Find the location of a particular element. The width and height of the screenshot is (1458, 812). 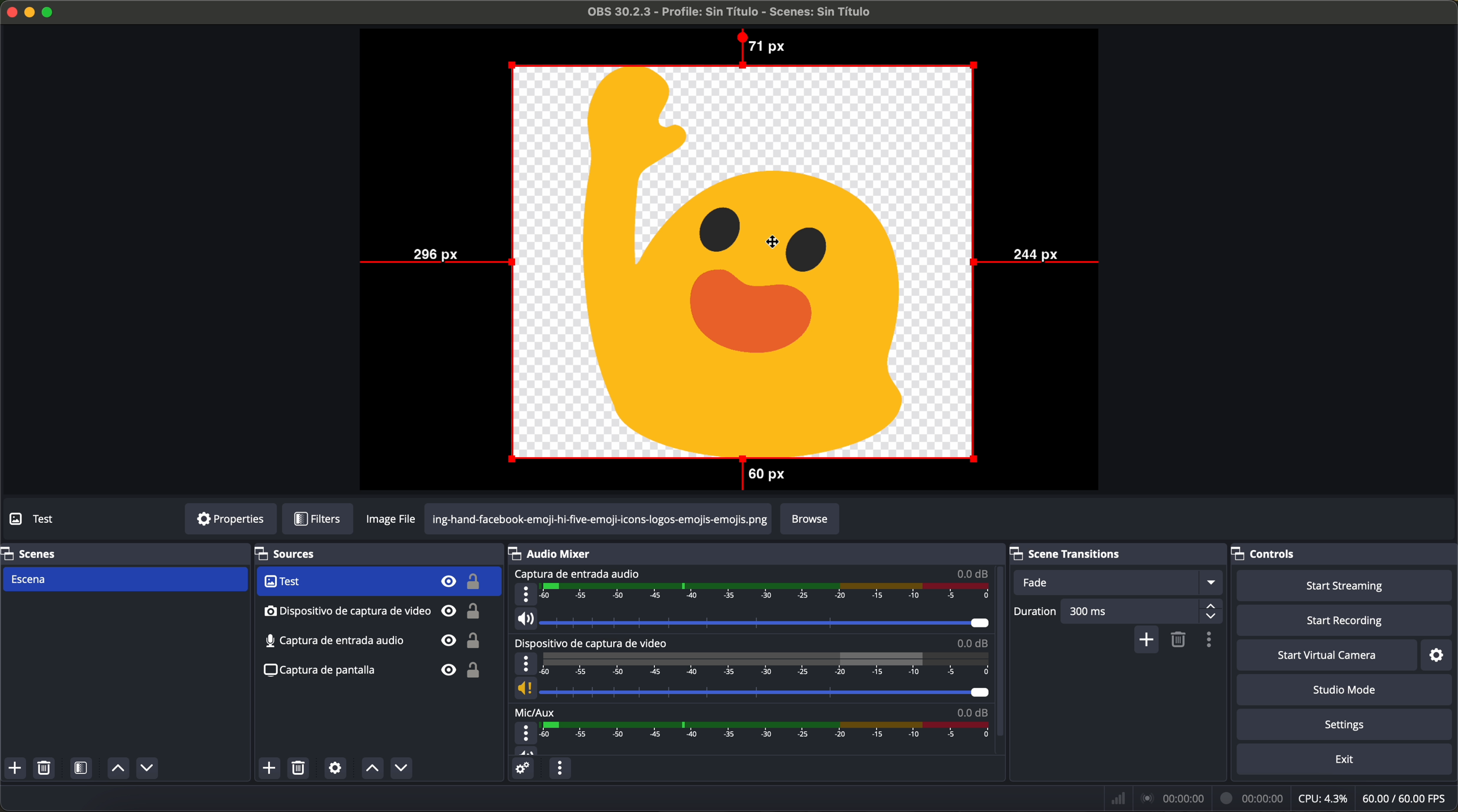

minimize program is located at coordinates (30, 12).